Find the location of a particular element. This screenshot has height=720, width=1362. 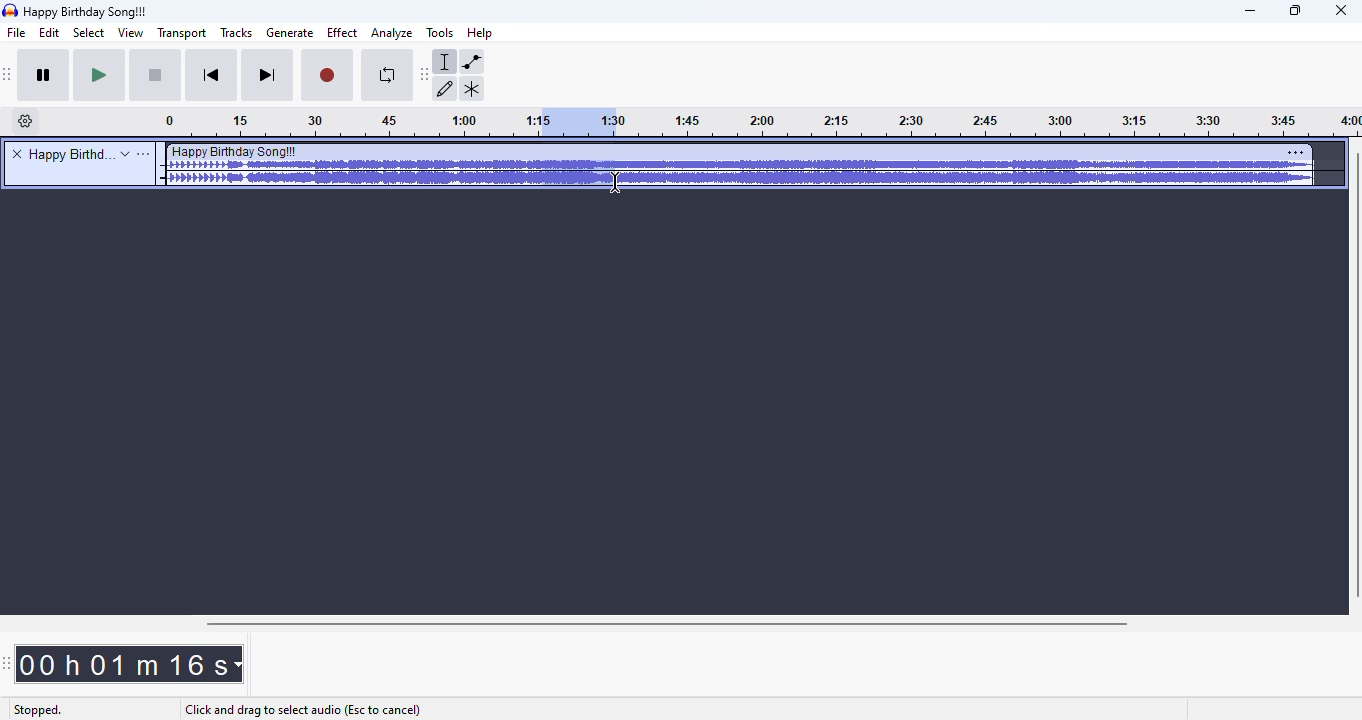

title is located at coordinates (69, 154).